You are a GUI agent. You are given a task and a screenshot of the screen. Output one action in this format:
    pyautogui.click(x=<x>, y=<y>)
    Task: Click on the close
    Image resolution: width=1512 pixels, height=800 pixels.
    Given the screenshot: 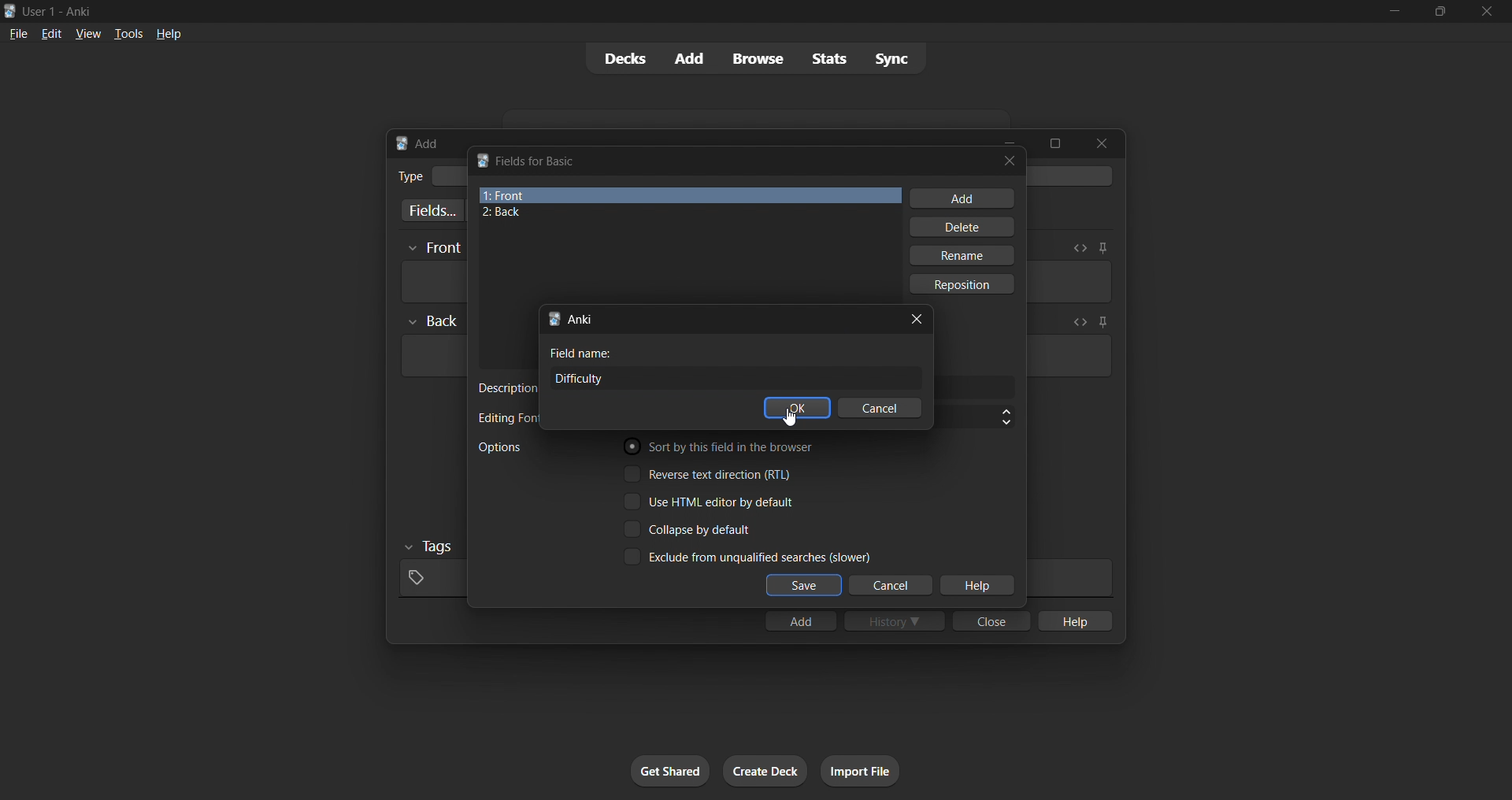 What is the action you would take?
    pyautogui.click(x=991, y=620)
    